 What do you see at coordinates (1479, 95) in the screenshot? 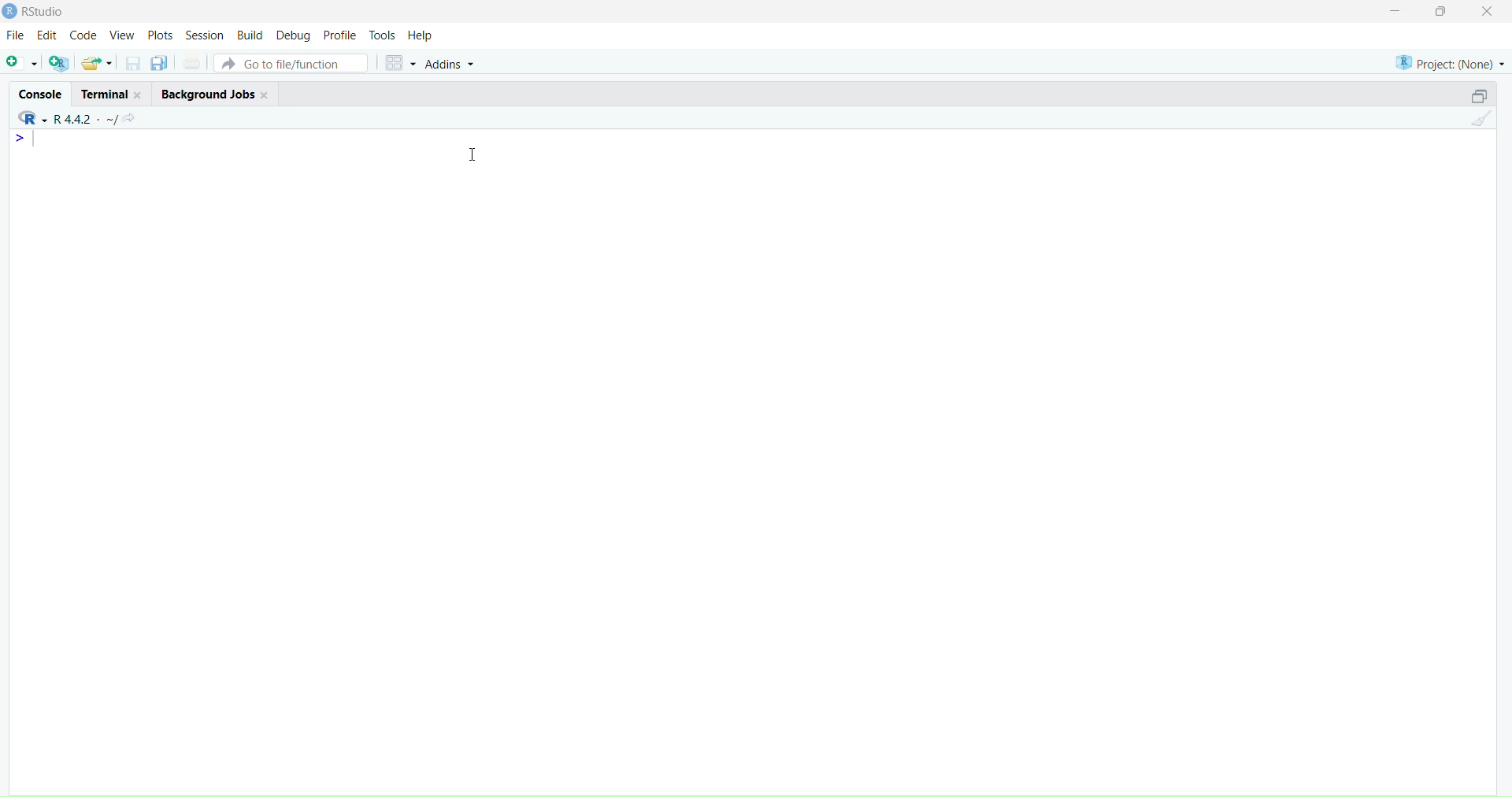
I see `open in separate window` at bounding box center [1479, 95].